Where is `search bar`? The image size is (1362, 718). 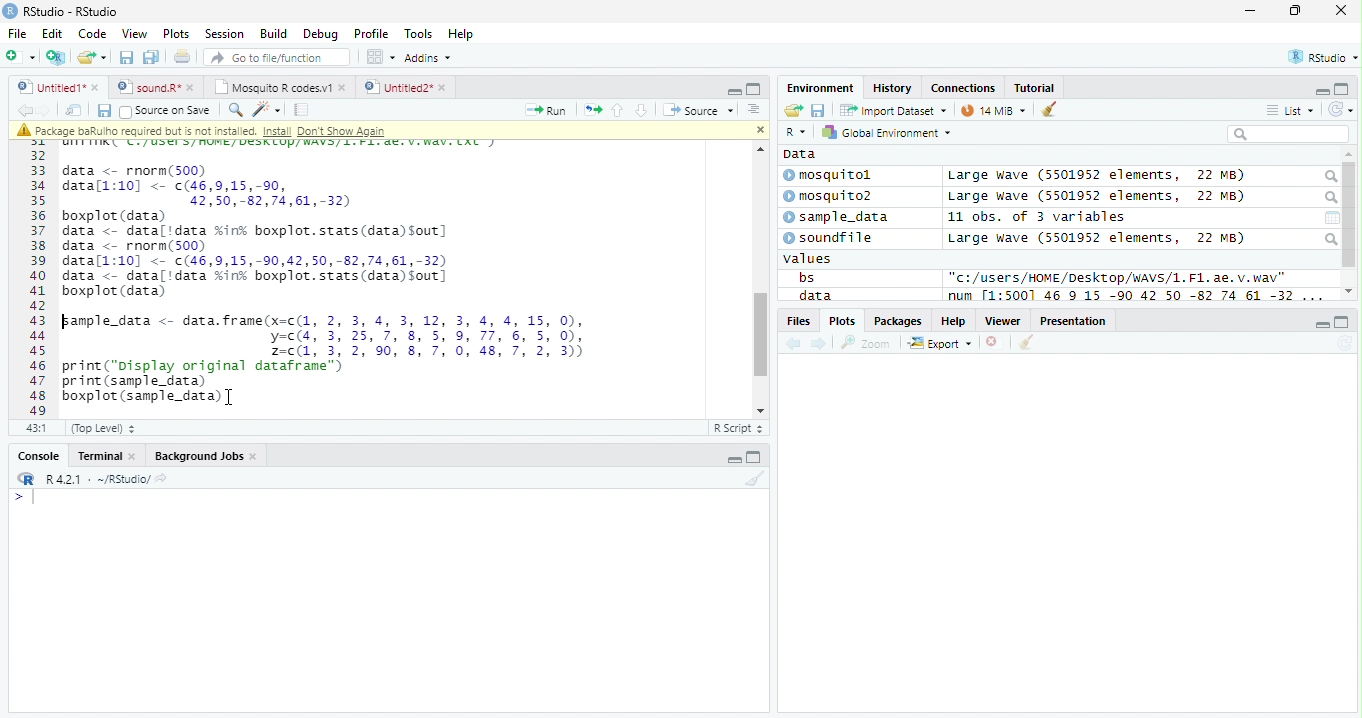
search bar is located at coordinates (1288, 133).